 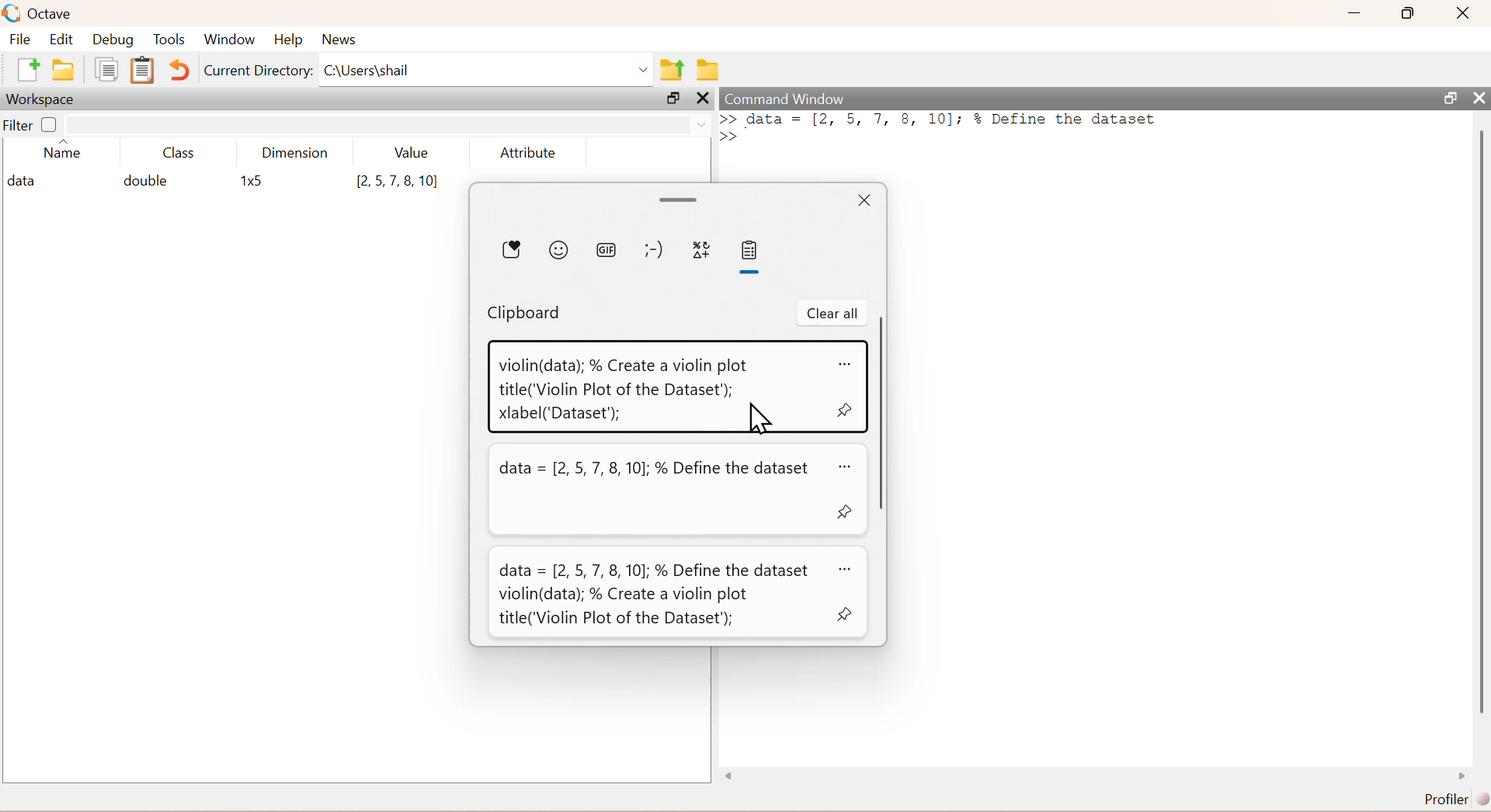 I want to click on options, so click(x=848, y=570).